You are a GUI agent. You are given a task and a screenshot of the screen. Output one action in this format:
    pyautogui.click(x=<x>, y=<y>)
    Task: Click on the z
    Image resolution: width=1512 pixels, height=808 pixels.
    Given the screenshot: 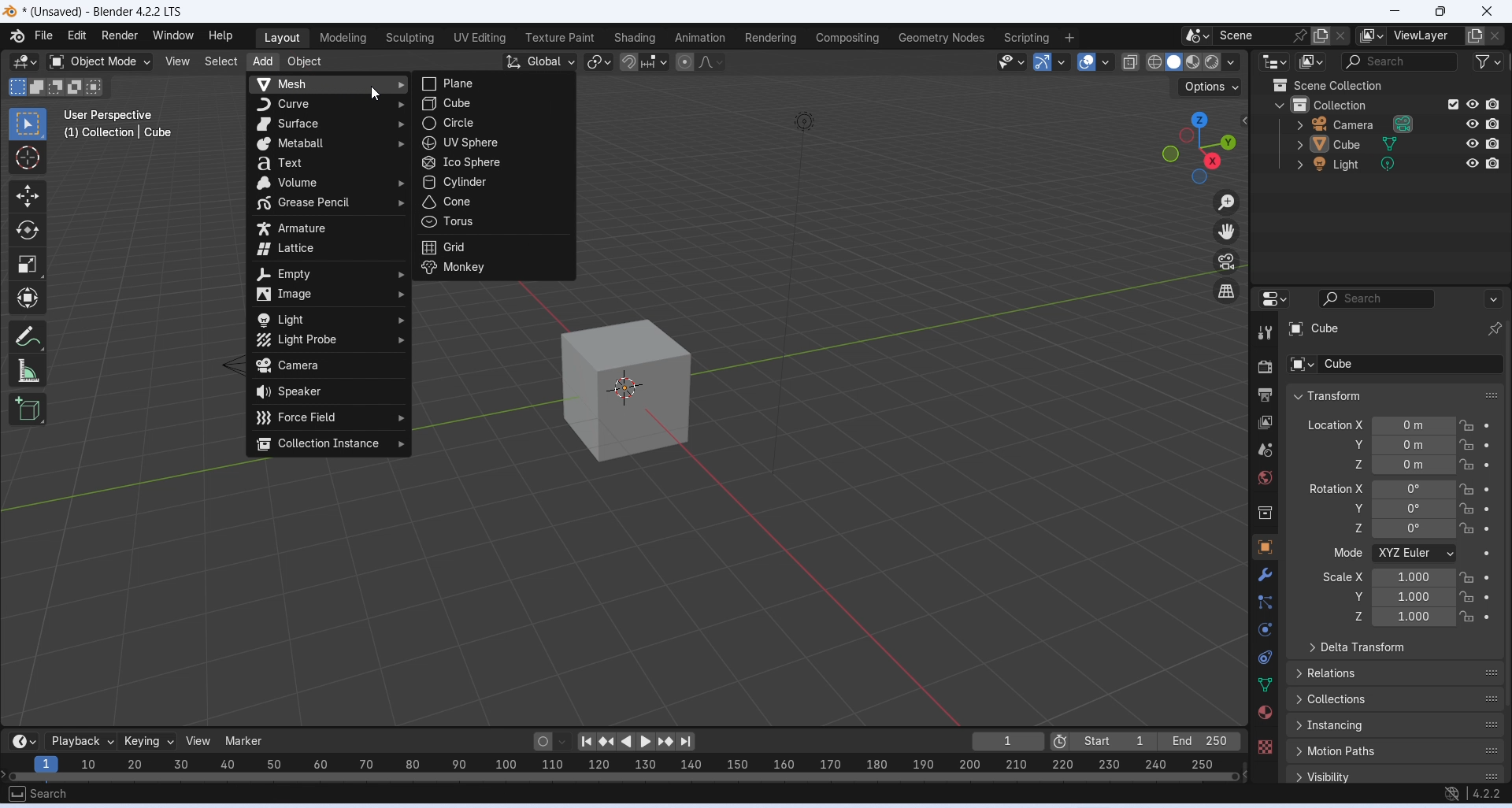 What is the action you would take?
    pyautogui.click(x=1347, y=528)
    